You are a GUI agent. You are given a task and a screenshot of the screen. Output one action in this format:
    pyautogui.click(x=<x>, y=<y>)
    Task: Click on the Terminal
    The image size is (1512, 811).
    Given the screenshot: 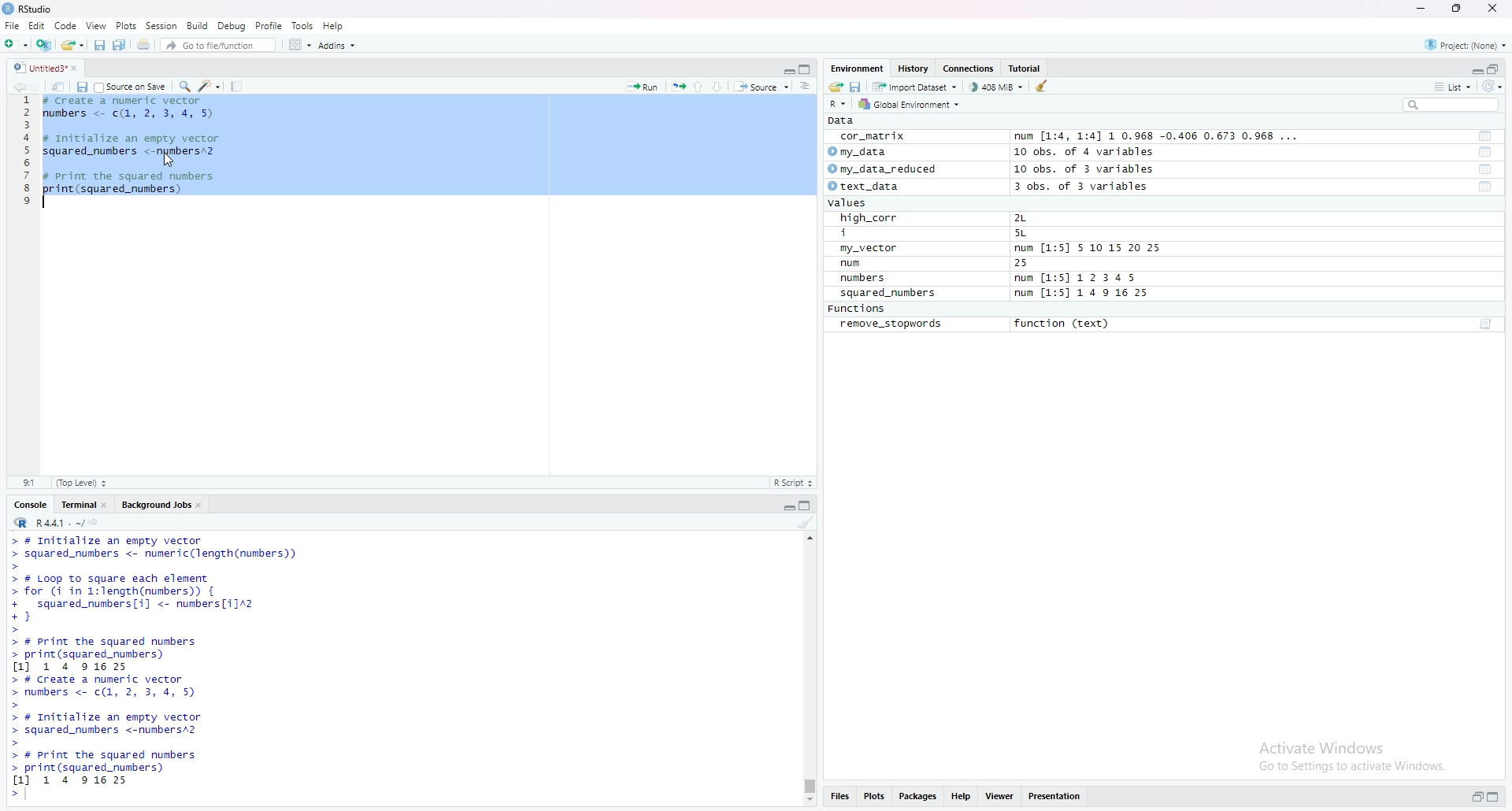 What is the action you would take?
    pyautogui.click(x=76, y=503)
    